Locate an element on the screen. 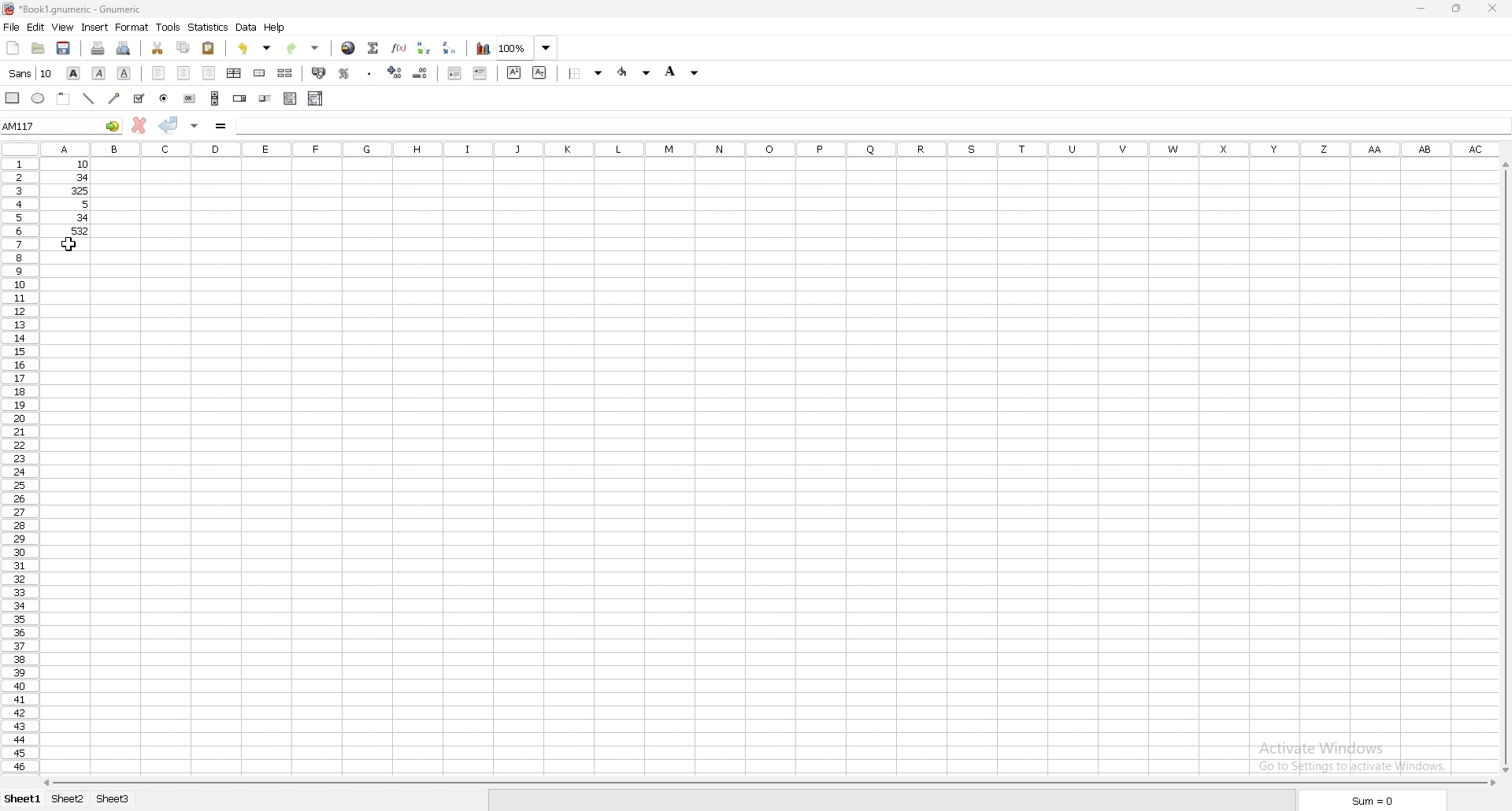 This screenshot has width=1512, height=811. decrease indent is located at coordinates (455, 73).